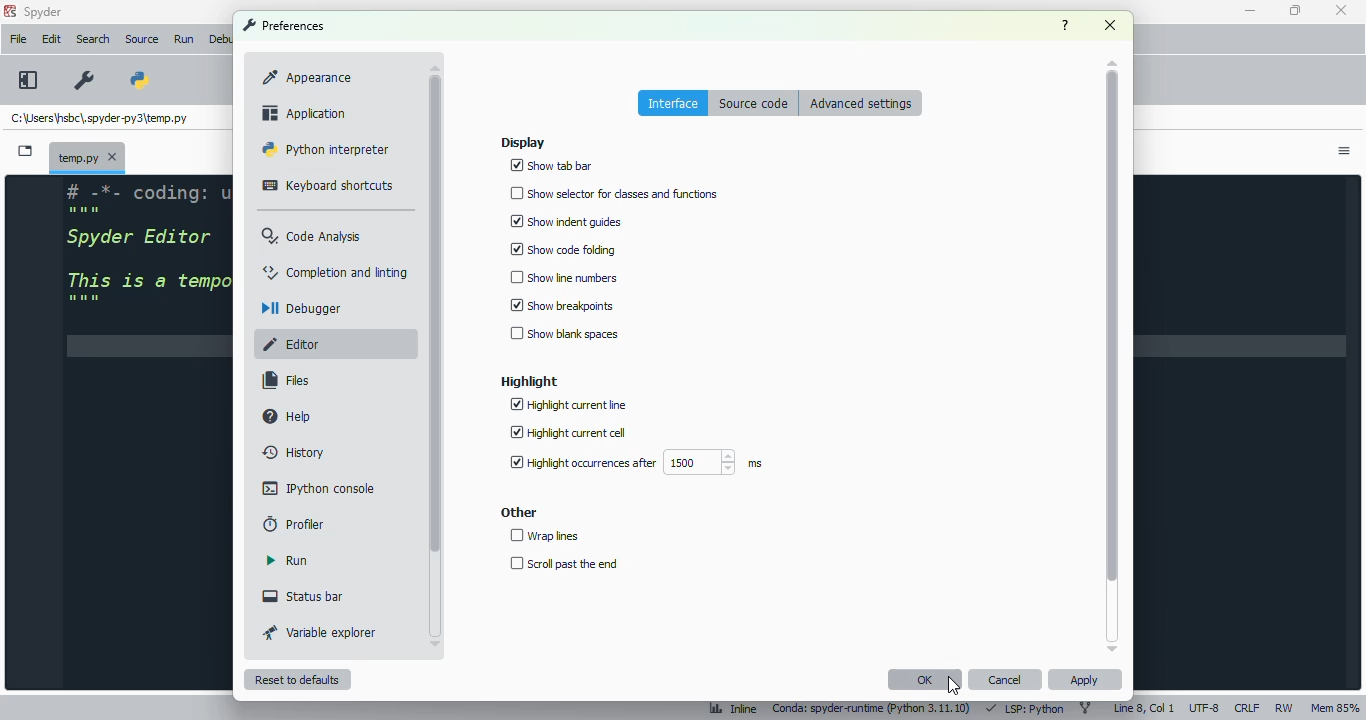 This screenshot has width=1366, height=720. Describe the element at coordinates (289, 380) in the screenshot. I see `files` at that location.